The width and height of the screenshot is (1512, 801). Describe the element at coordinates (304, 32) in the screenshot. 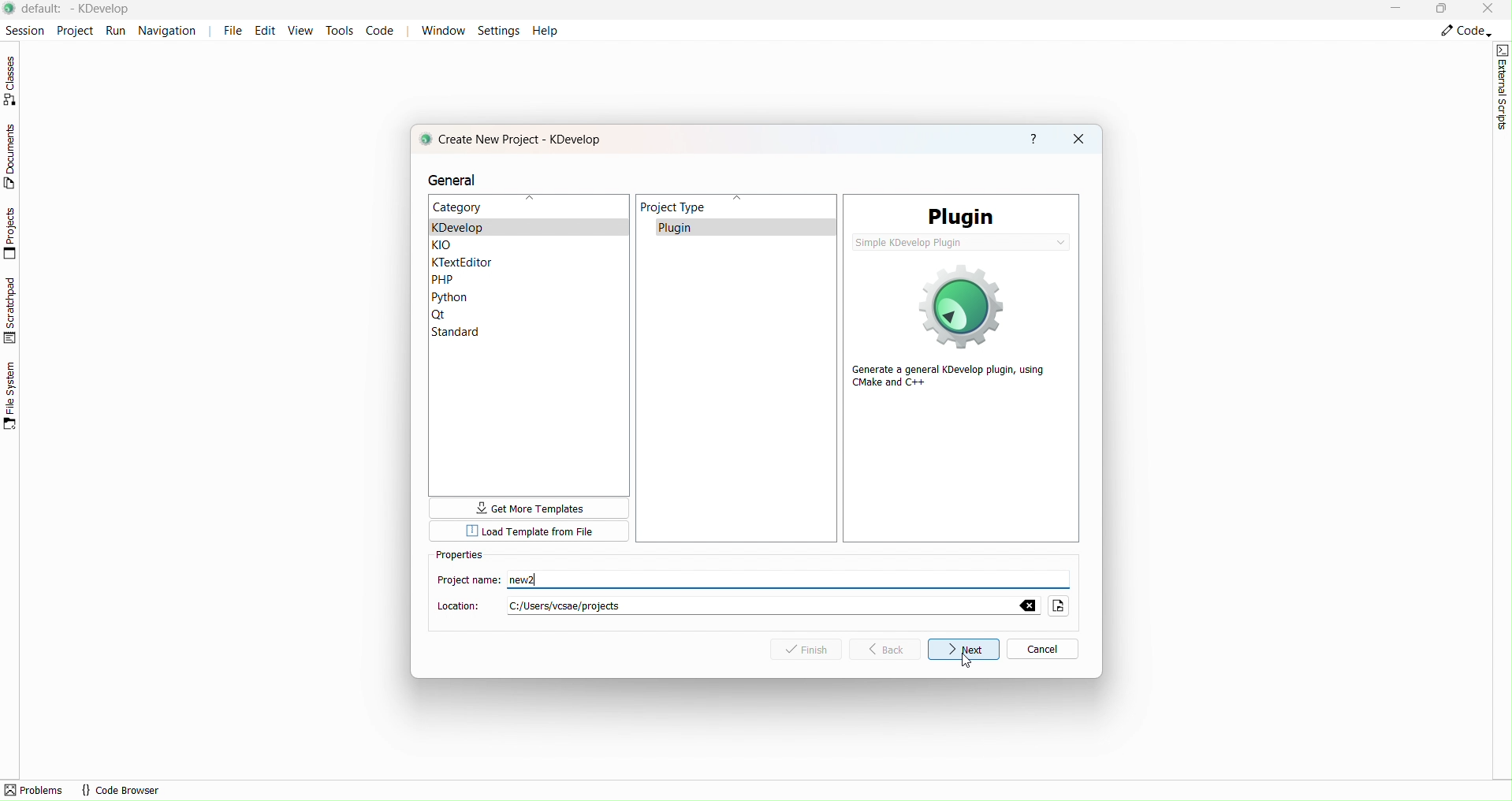

I see `View` at that location.